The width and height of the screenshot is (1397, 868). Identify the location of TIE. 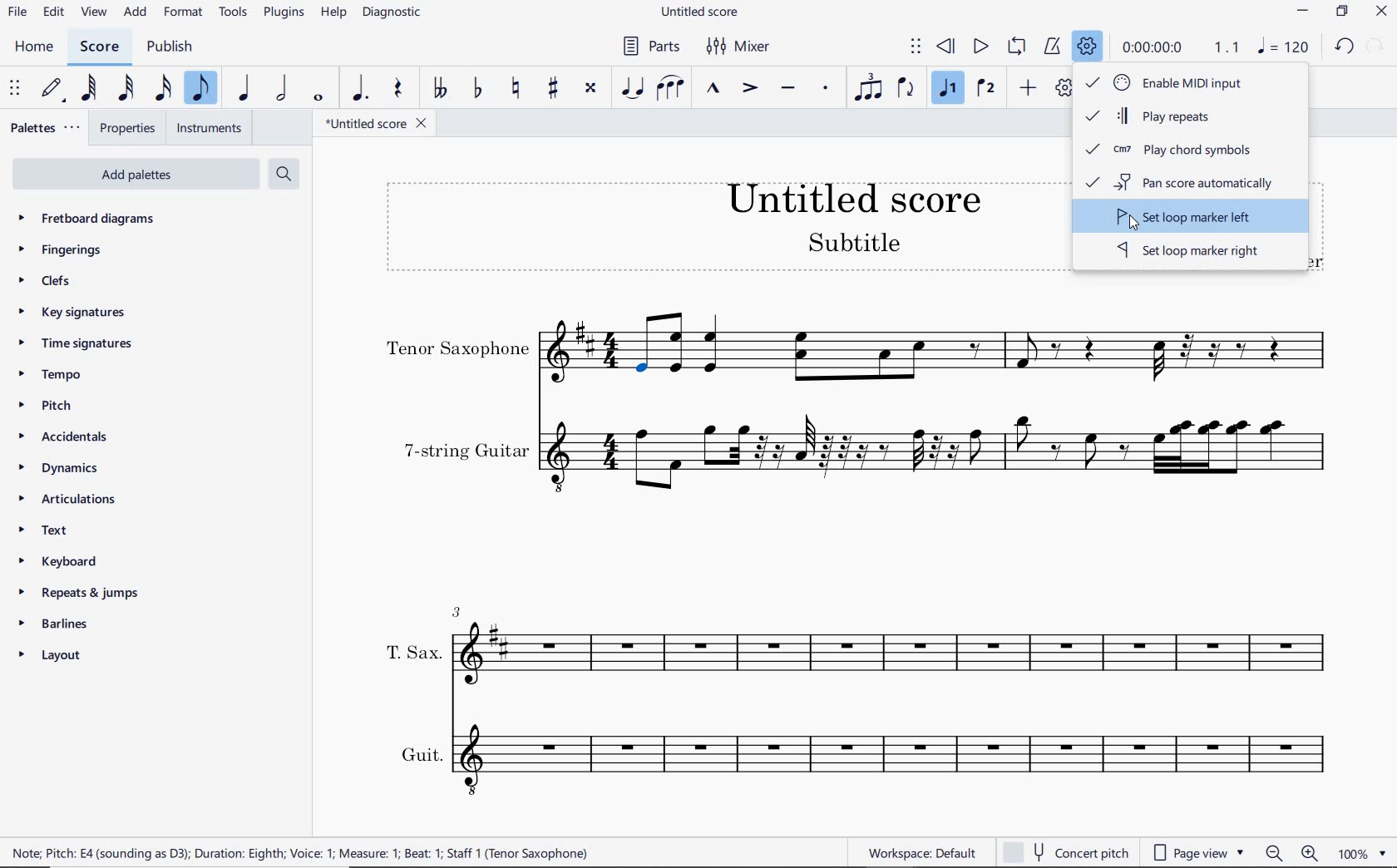
(632, 89).